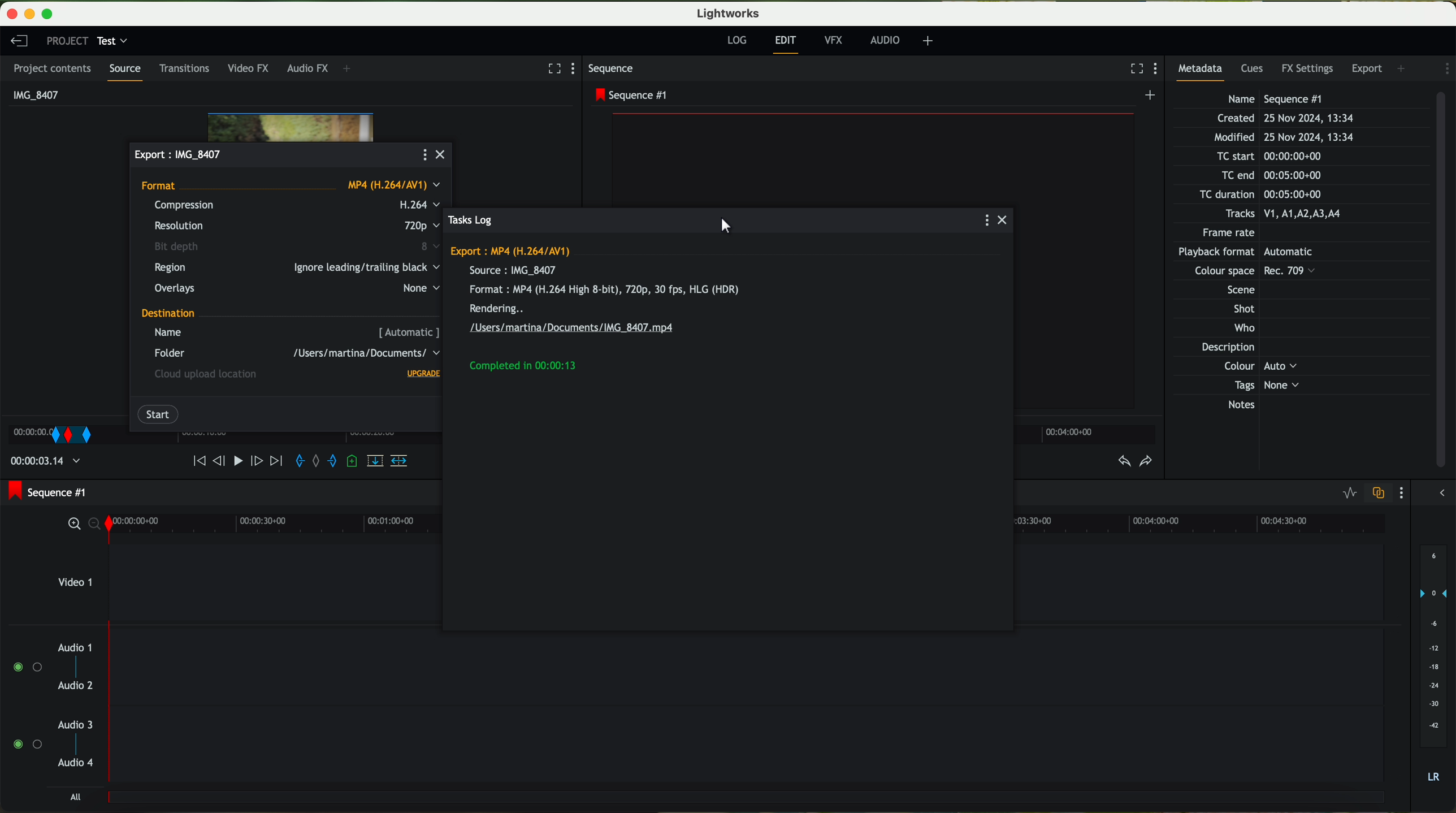  What do you see at coordinates (294, 353) in the screenshot?
I see `folder` at bounding box center [294, 353].